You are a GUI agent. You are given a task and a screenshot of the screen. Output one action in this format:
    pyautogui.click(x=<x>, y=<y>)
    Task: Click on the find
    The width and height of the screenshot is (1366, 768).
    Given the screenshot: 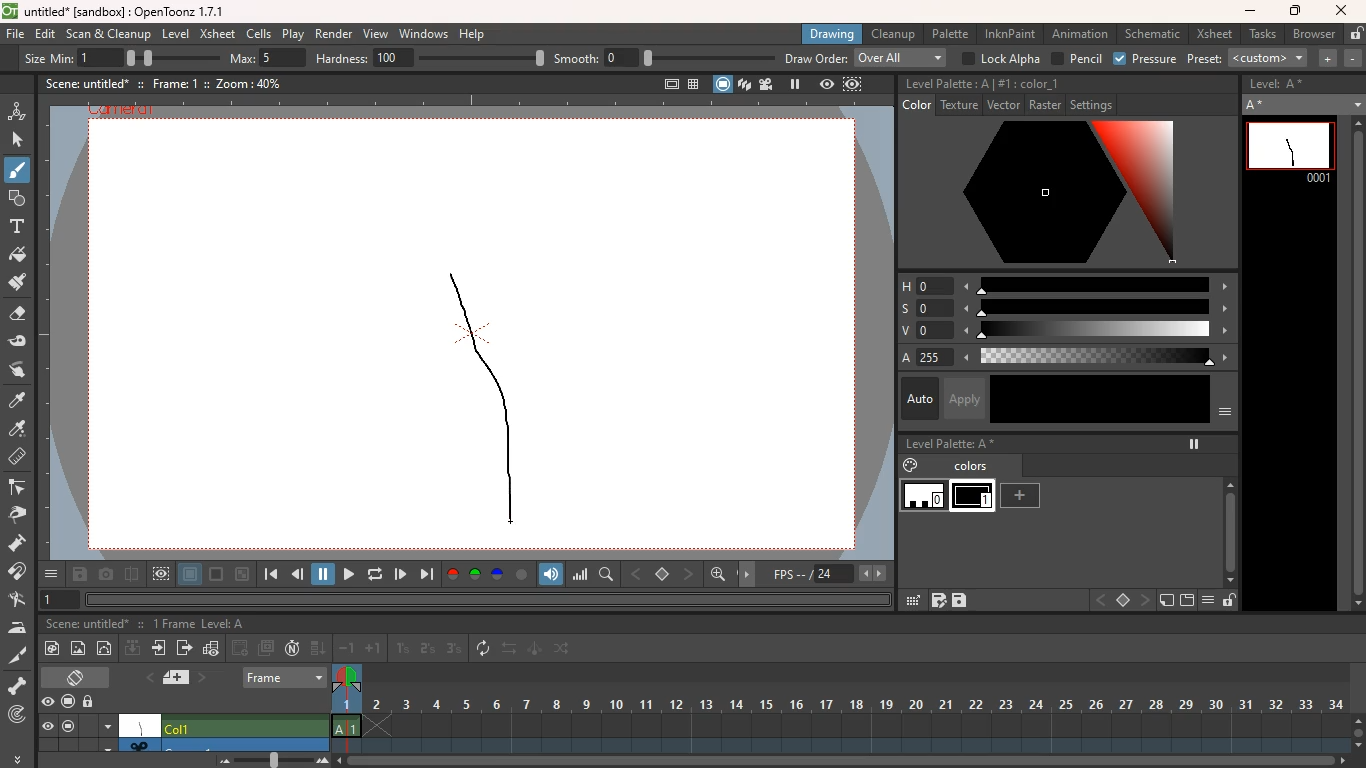 What is the action you would take?
    pyautogui.click(x=720, y=577)
    